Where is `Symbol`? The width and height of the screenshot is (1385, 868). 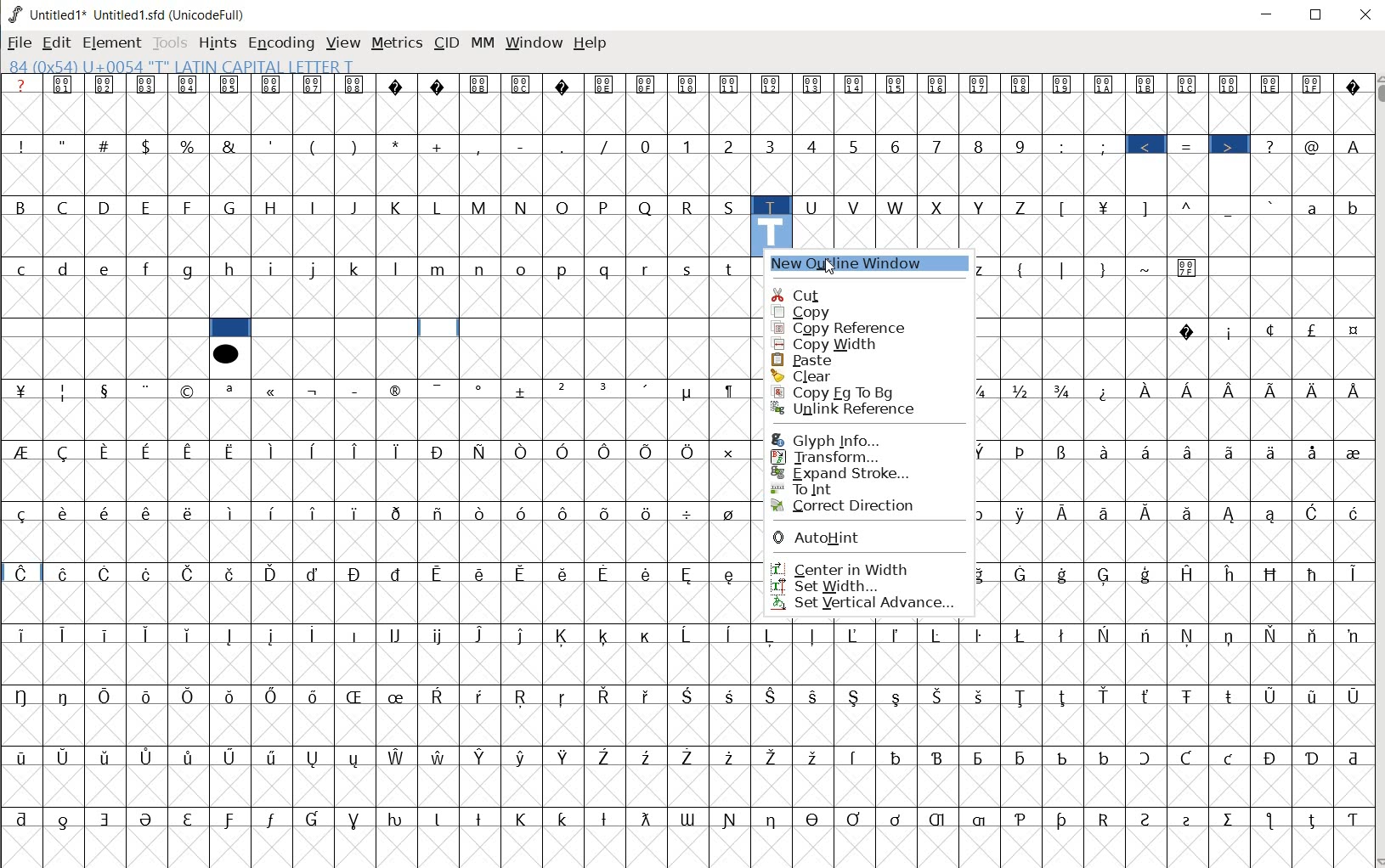
Symbol is located at coordinates (21, 756).